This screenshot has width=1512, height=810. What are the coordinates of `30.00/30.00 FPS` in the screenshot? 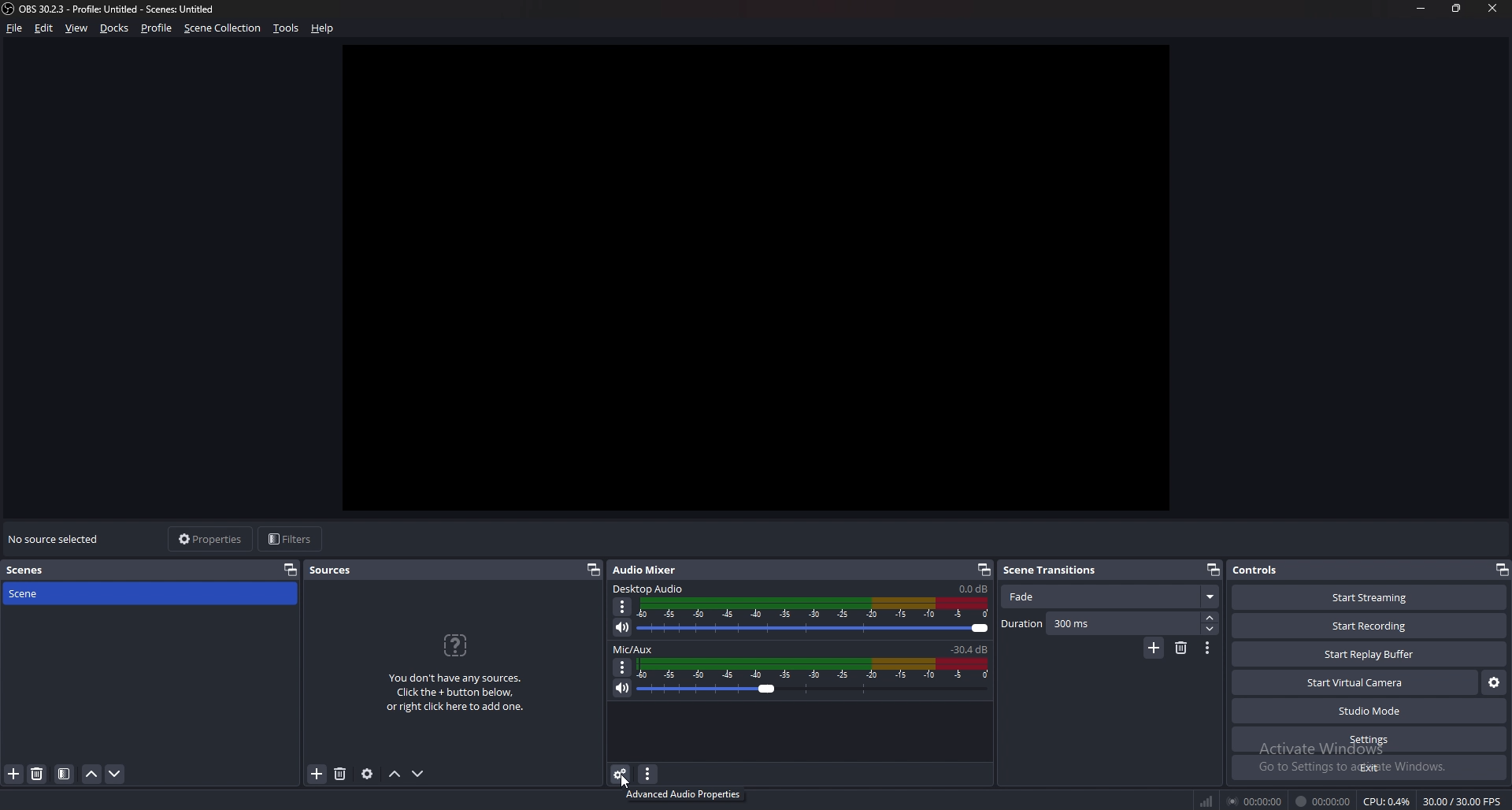 It's located at (1462, 801).